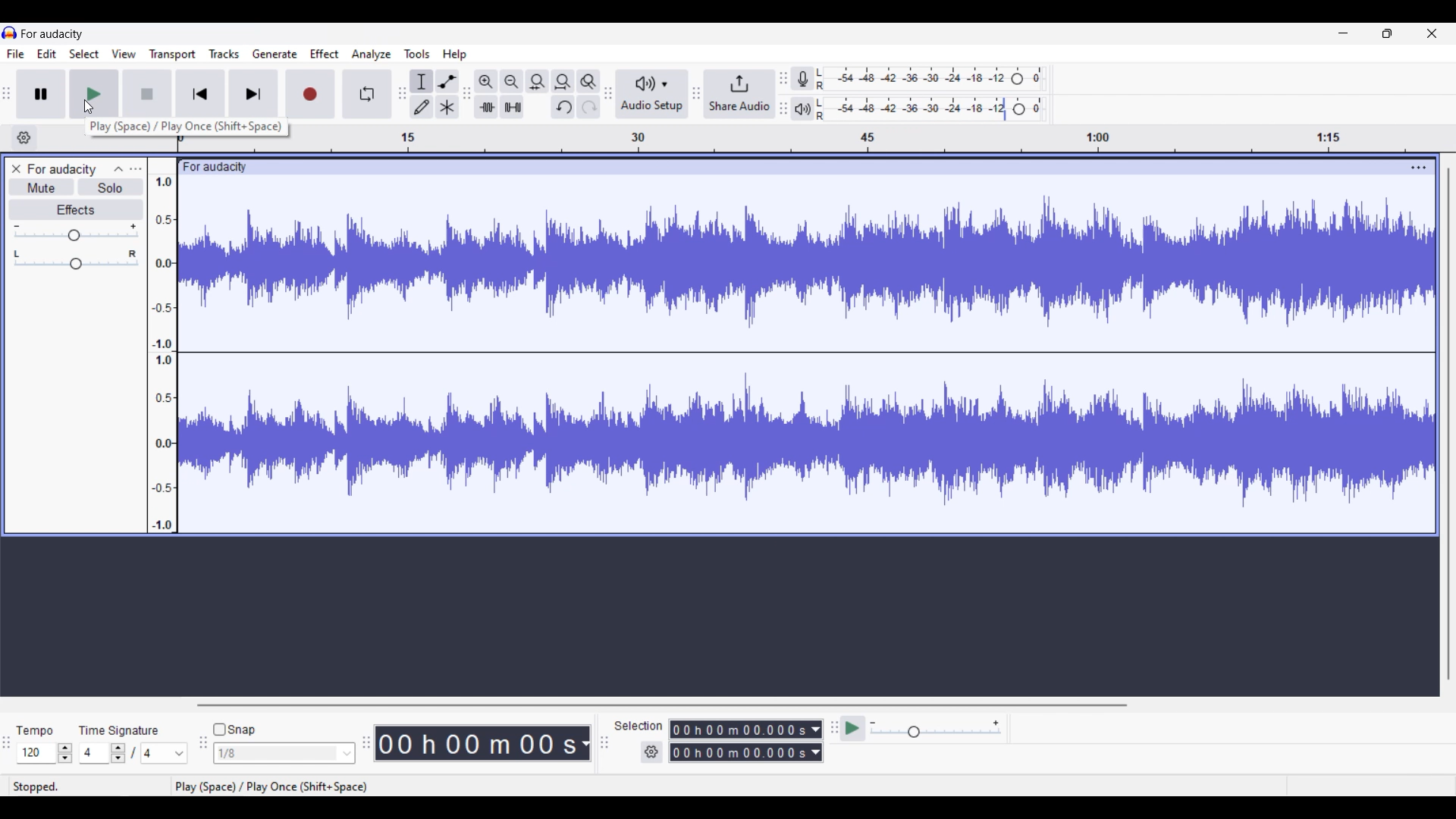 The image size is (1456, 819). Describe the element at coordinates (739, 741) in the screenshot. I see `Selection duration changed` at that location.